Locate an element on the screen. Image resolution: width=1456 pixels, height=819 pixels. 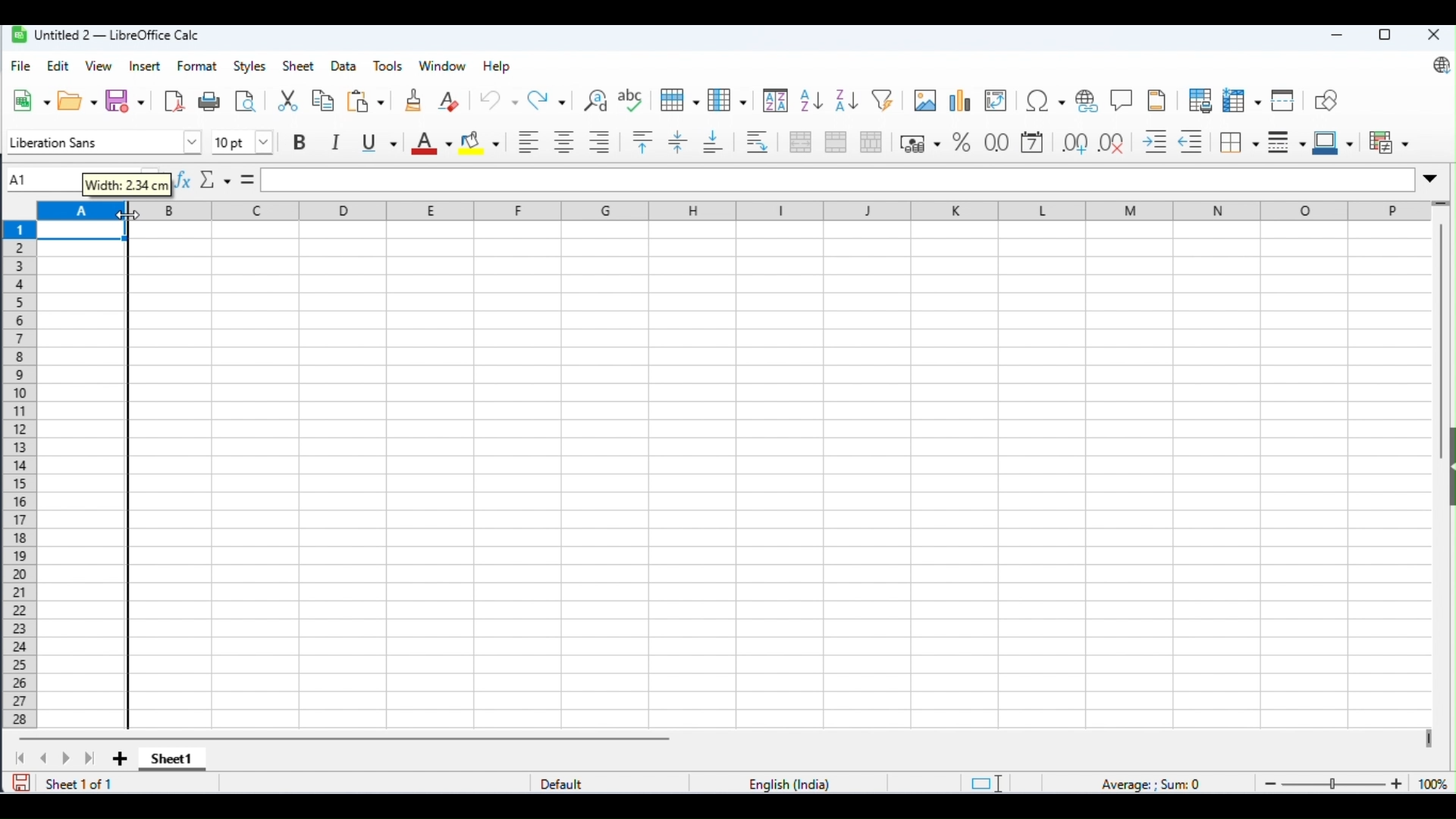
border color is located at coordinates (1333, 140).